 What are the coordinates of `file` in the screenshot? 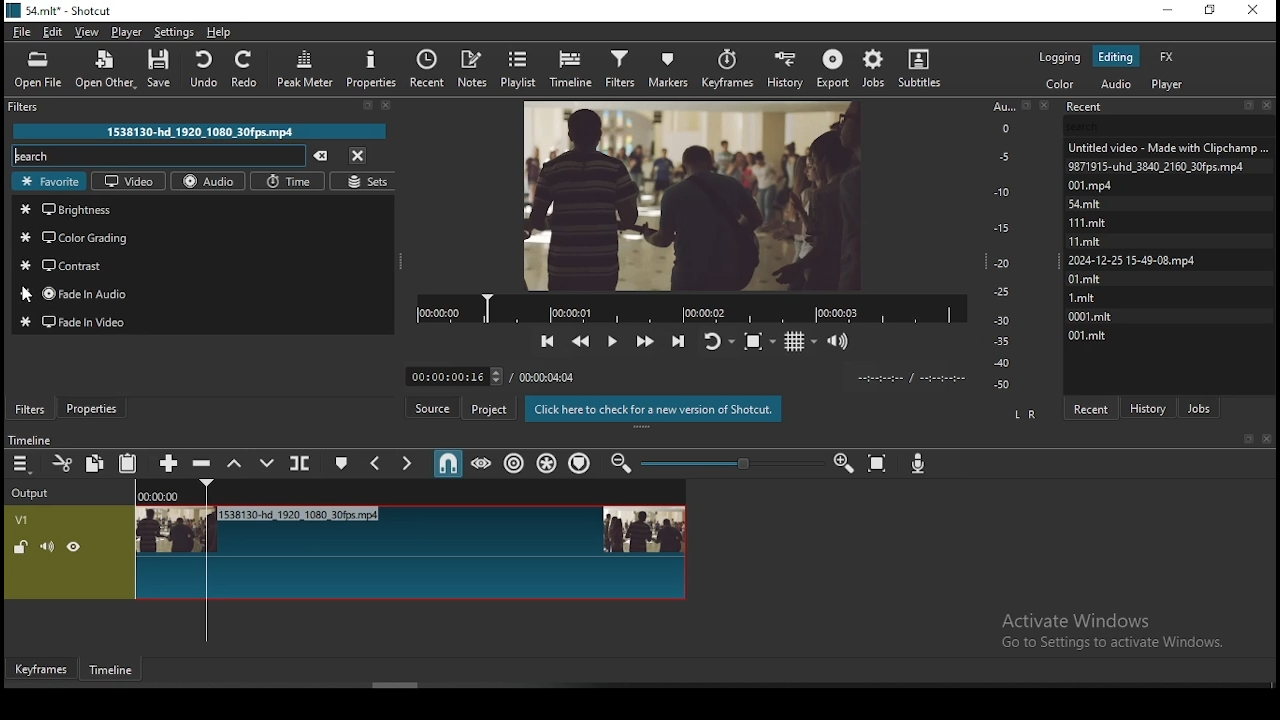 It's located at (22, 32).